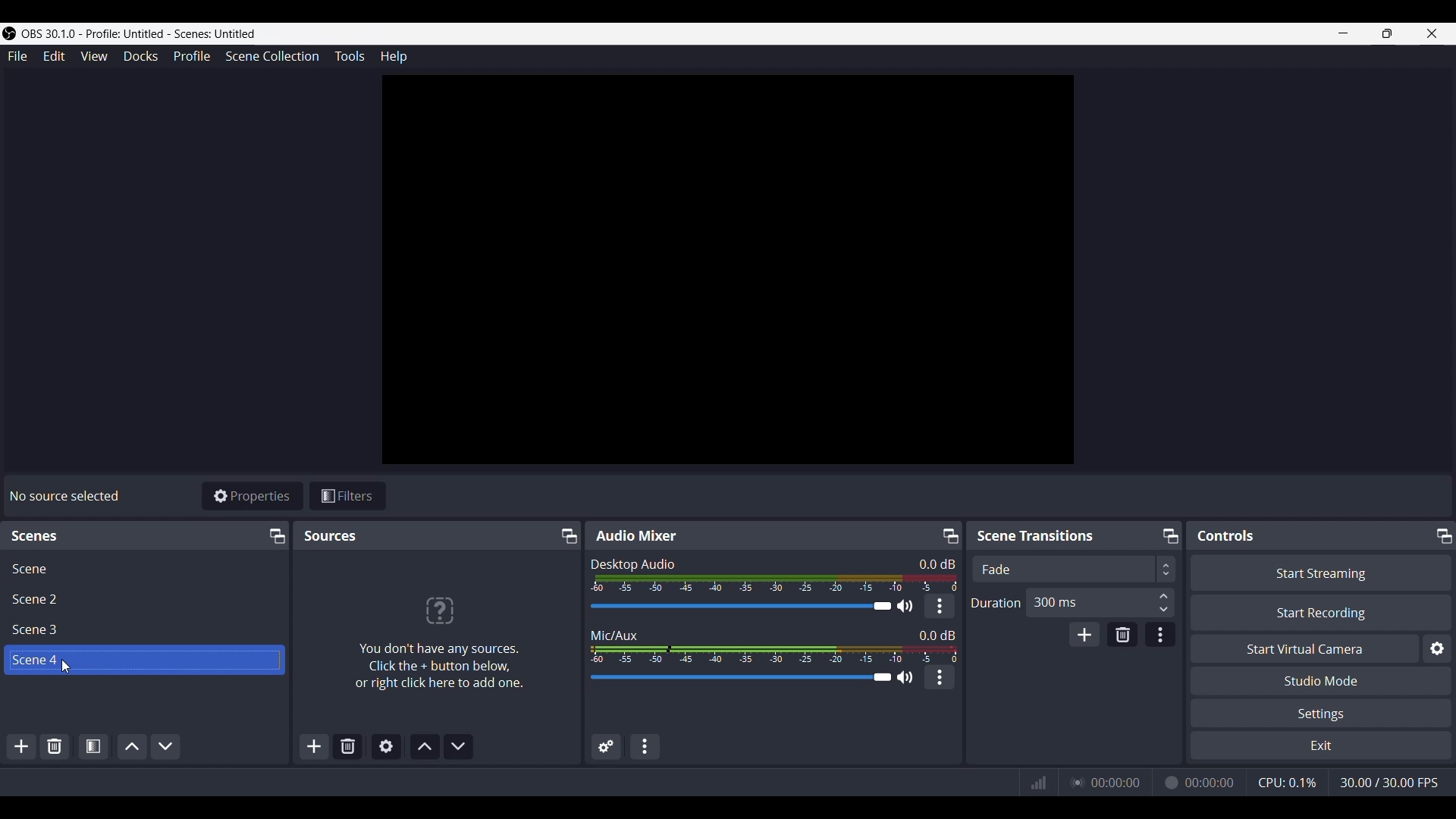 This screenshot has height=819, width=1456. What do you see at coordinates (92, 745) in the screenshot?
I see `Open scene filters` at bounding box center [92, 745].